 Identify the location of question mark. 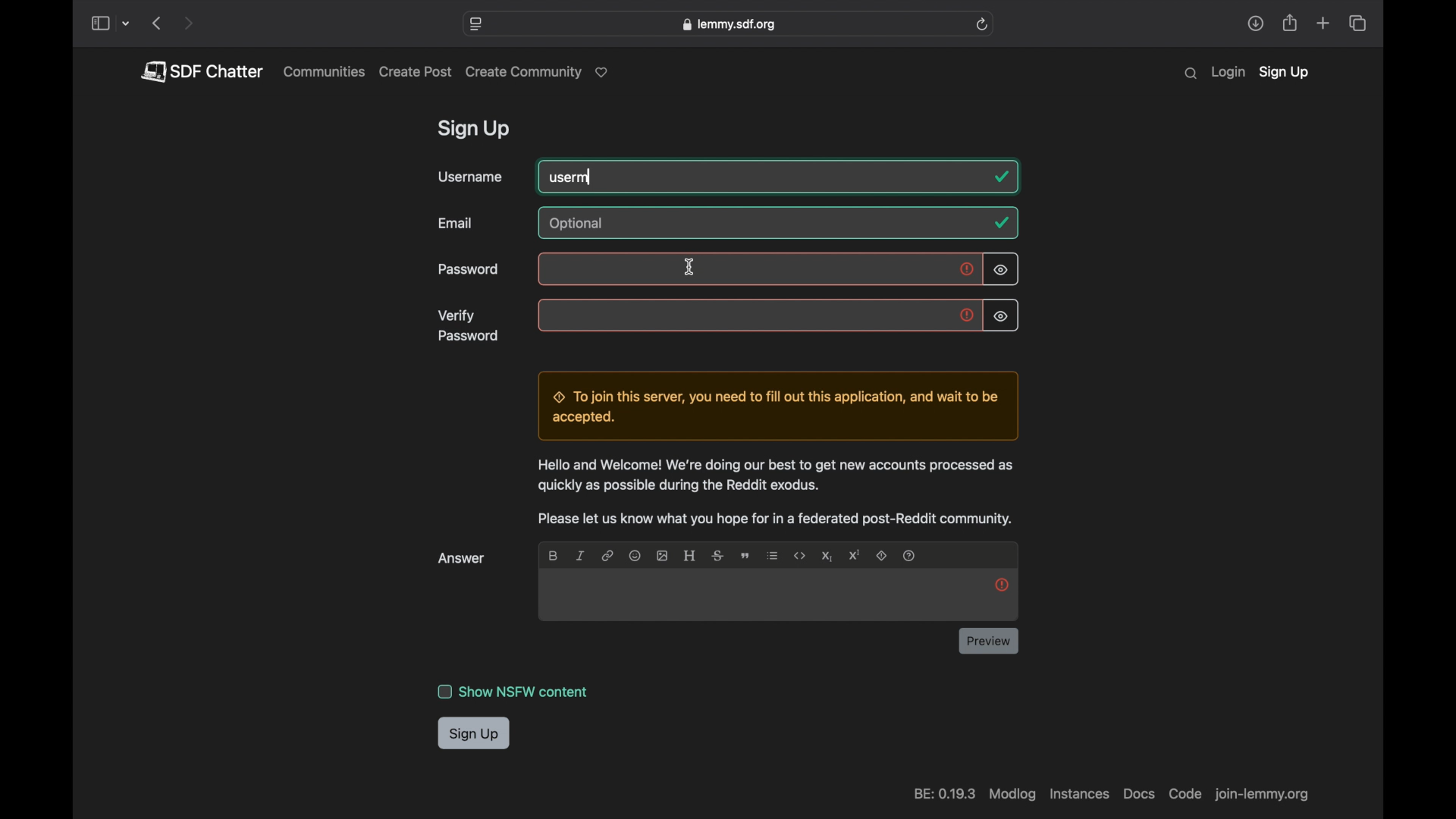
(910, 555).